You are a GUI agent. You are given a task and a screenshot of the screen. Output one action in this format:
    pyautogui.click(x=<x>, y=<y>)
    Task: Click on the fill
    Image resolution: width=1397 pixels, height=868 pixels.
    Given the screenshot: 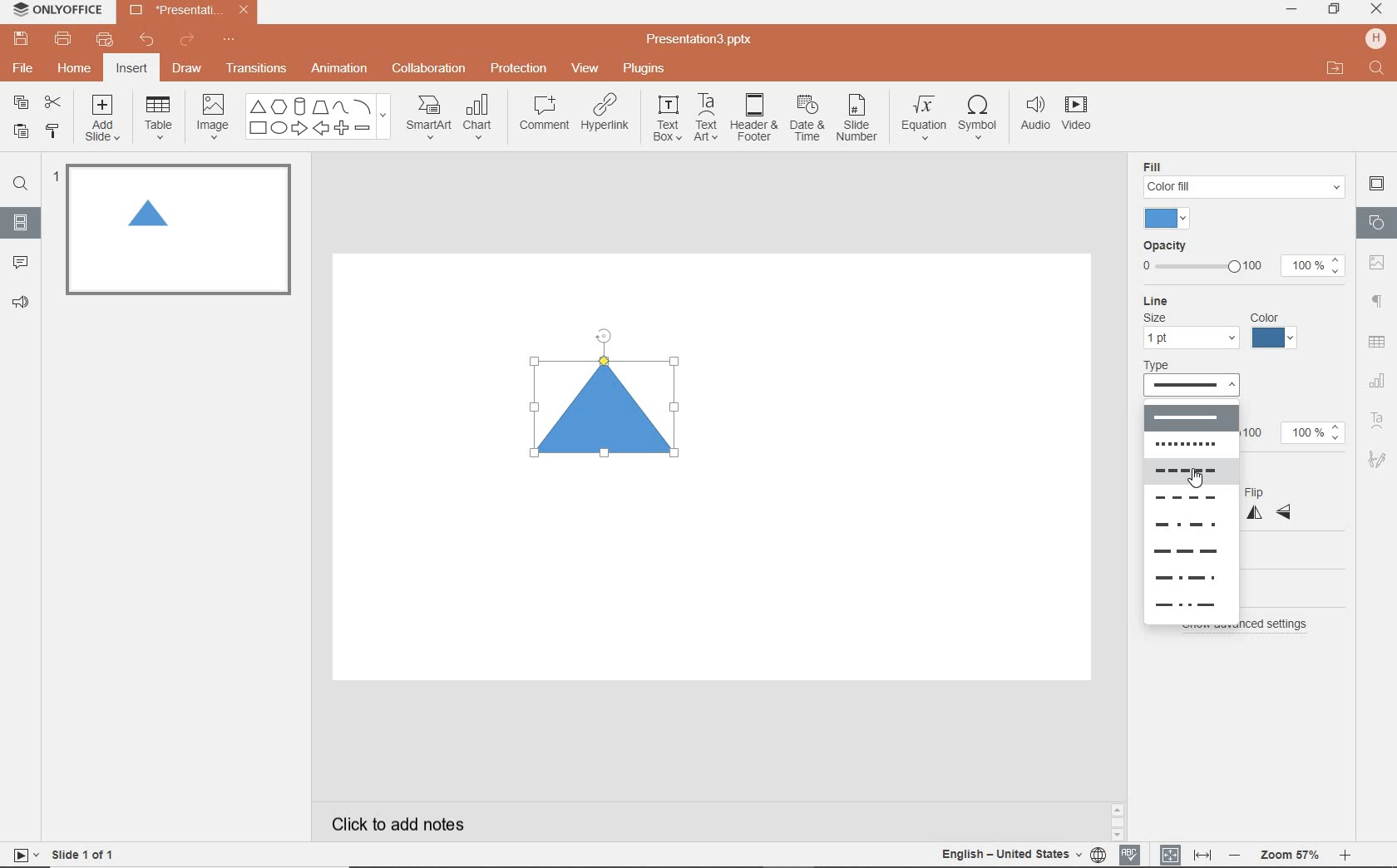 What is the action you would take?
    pyautogui.click(x=1244, y=178)
    